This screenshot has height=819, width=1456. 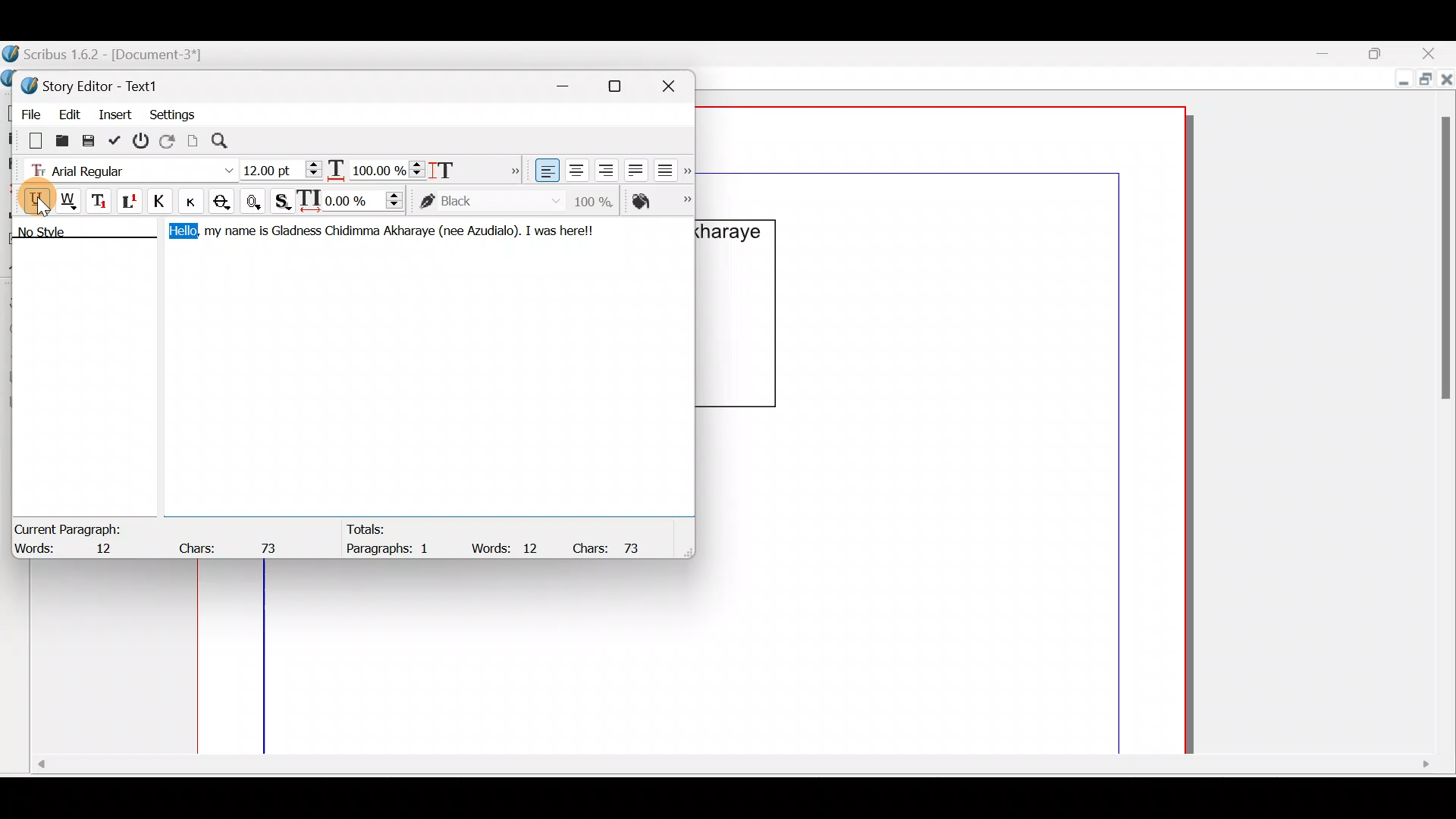 What do you see at coordinates (409, 231) in the screenshot?
I see `Akharaye` at bounding box center [409, 231].